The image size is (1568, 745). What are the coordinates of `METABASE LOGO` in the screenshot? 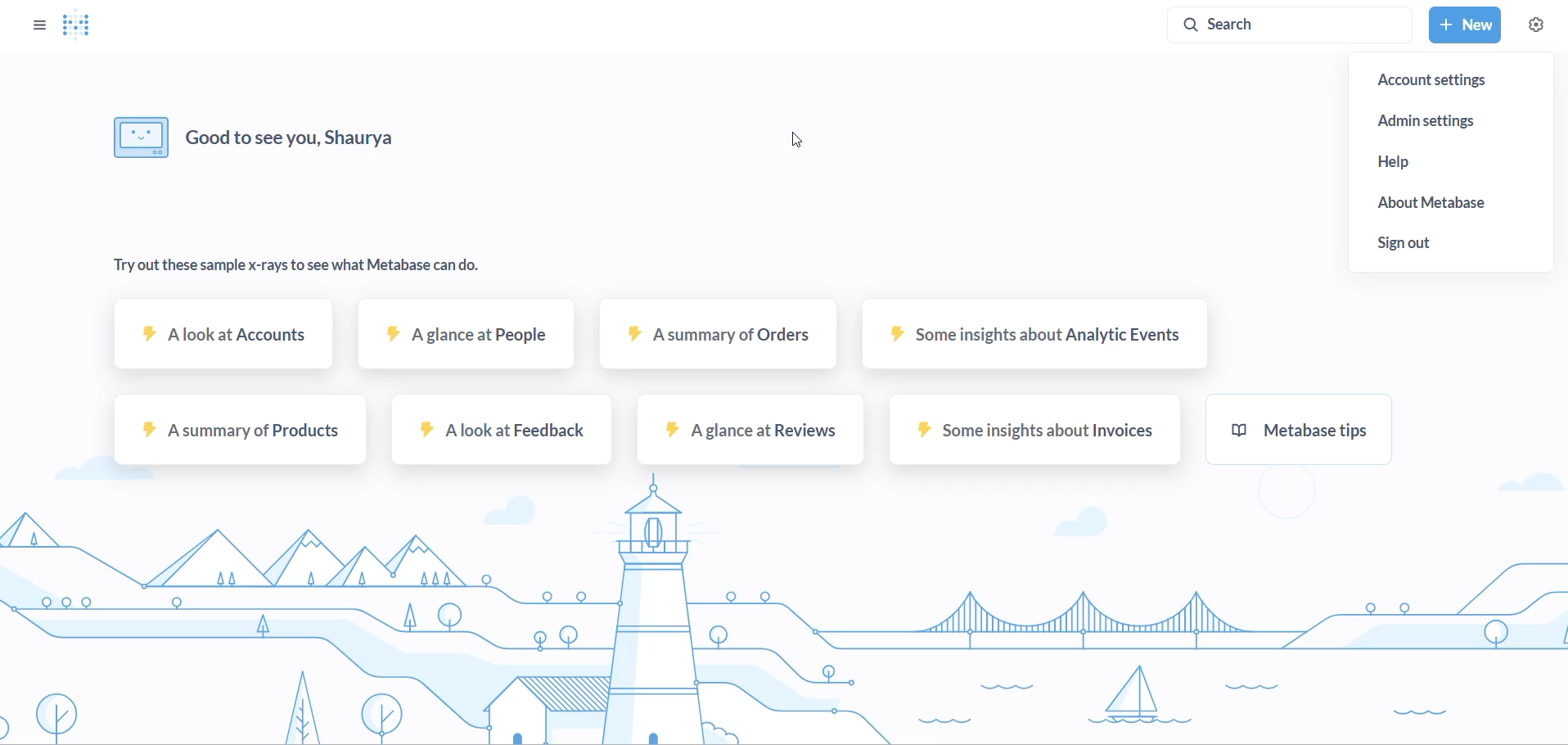 It's located at (82, 25).